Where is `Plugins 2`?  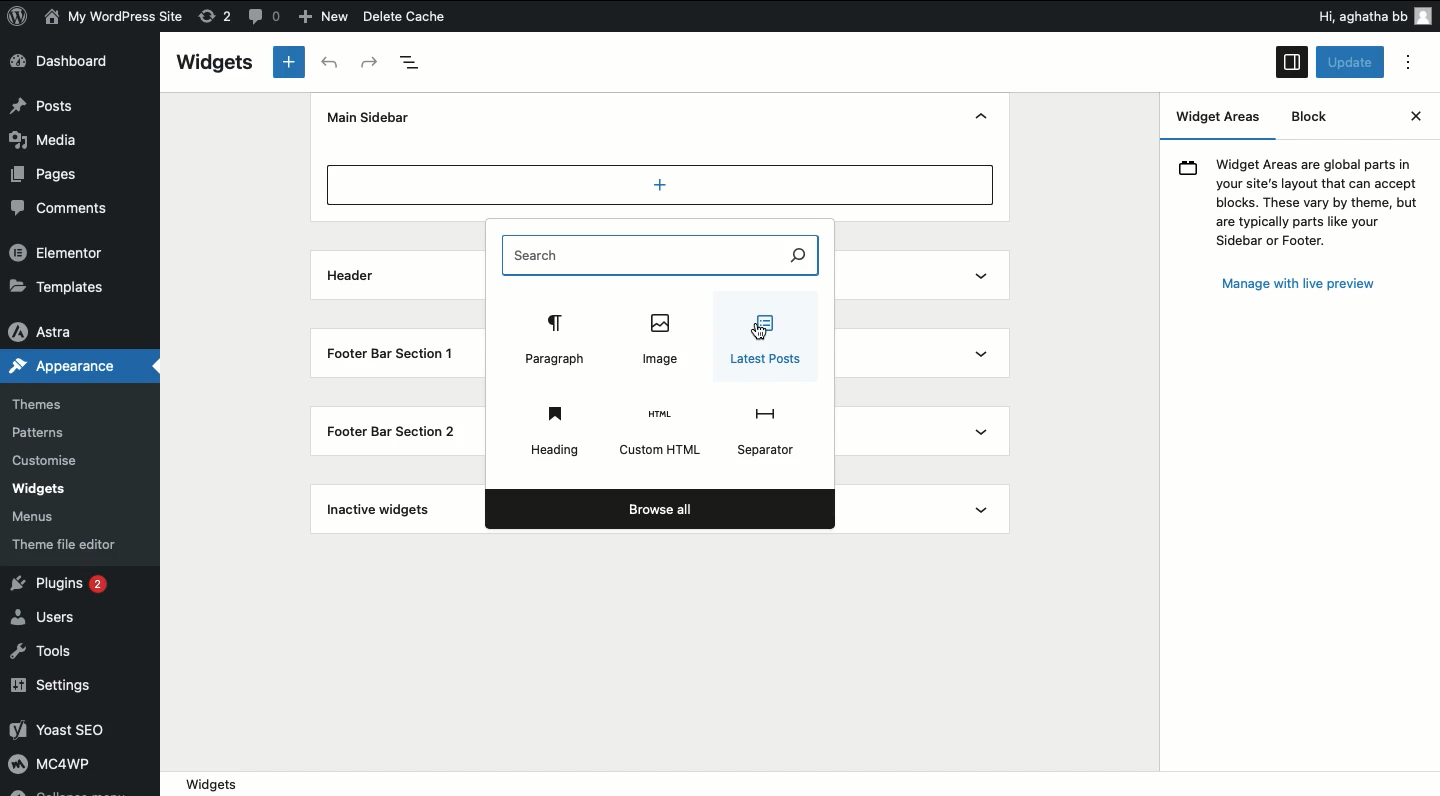
Plugins 2 is located at coordinates (60, 581).